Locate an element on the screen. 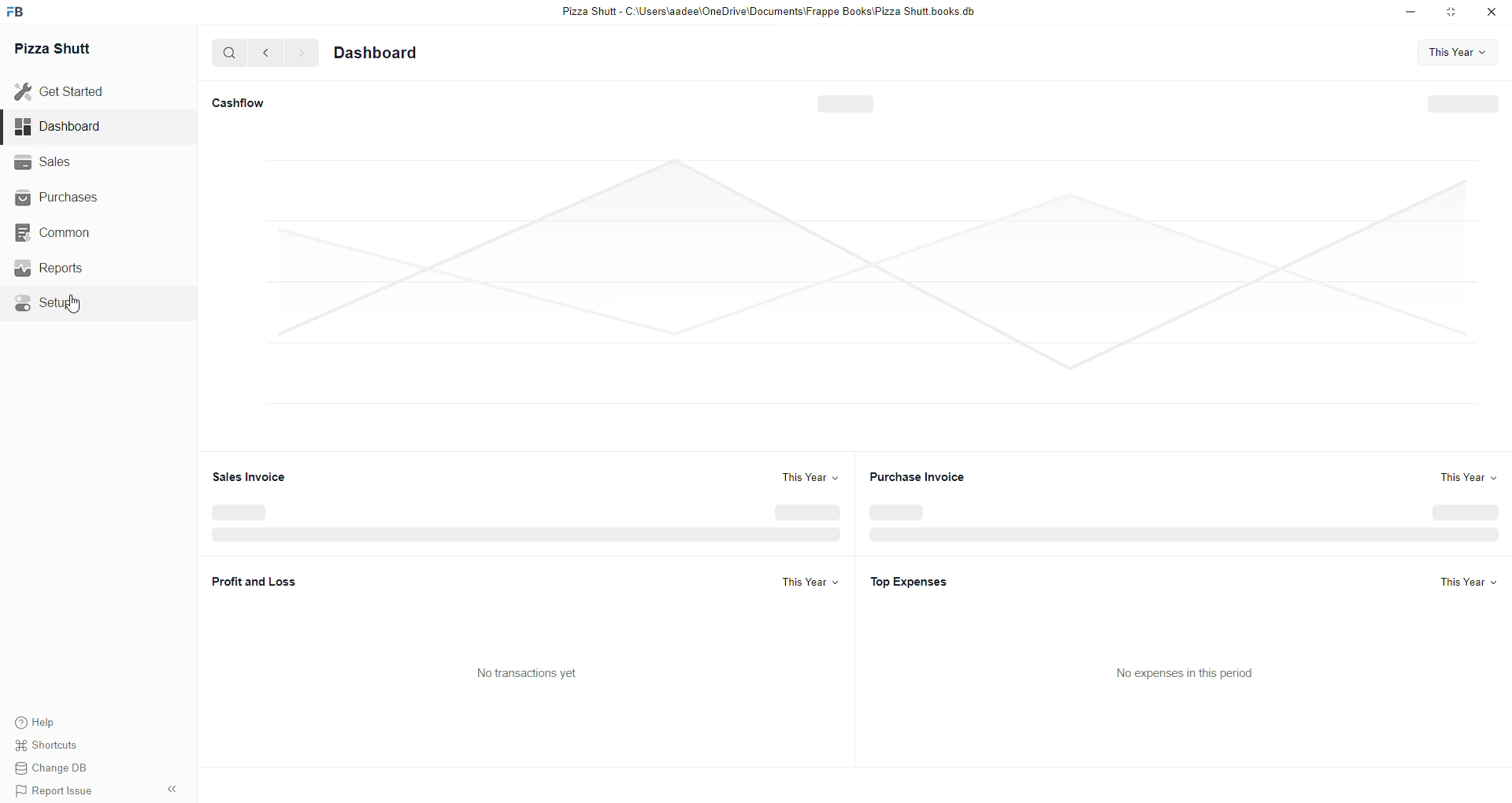  cashflow  is located at coordinates (247, 98).